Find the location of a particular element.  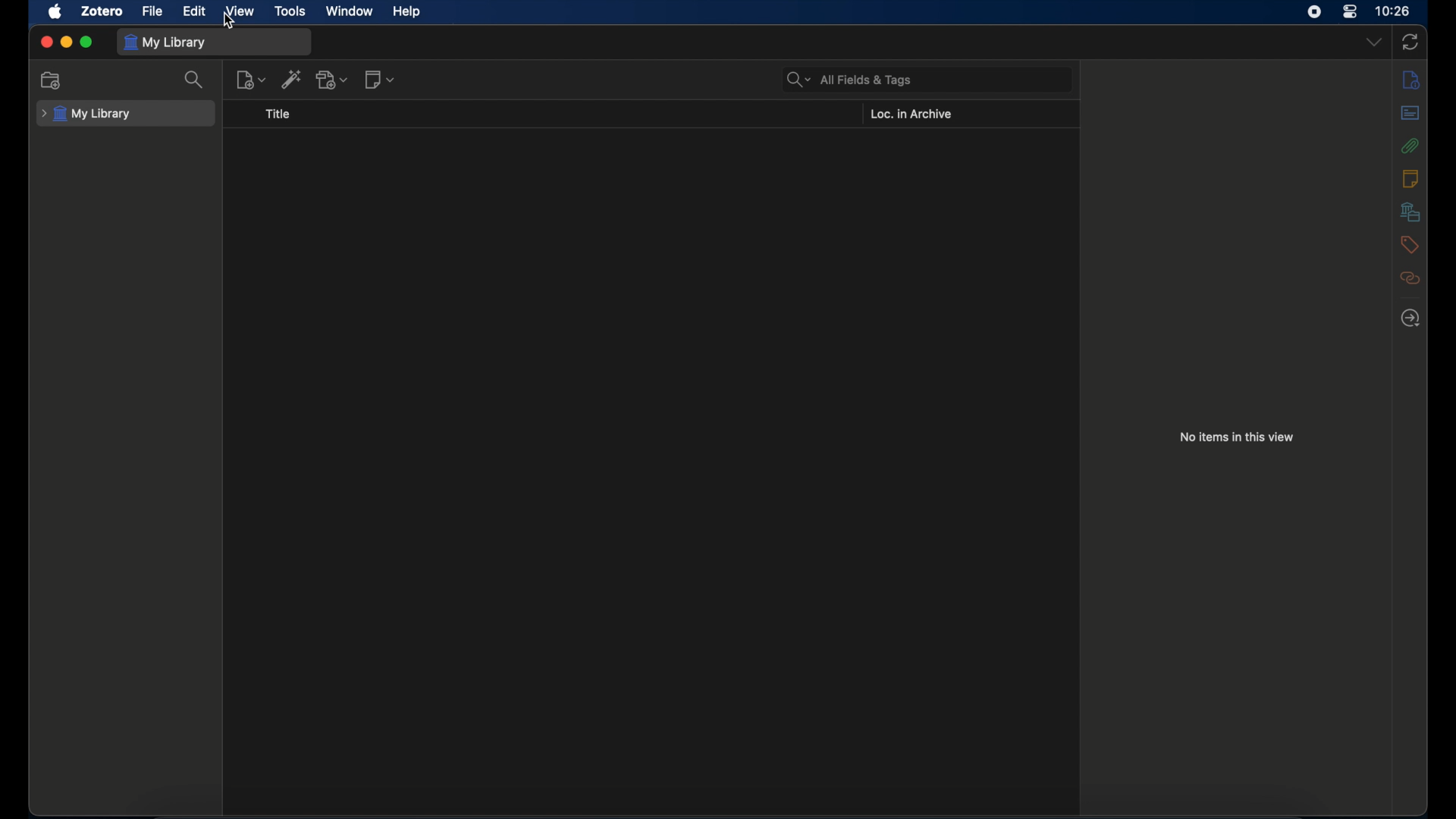

help is located at coordinates (408, 12).